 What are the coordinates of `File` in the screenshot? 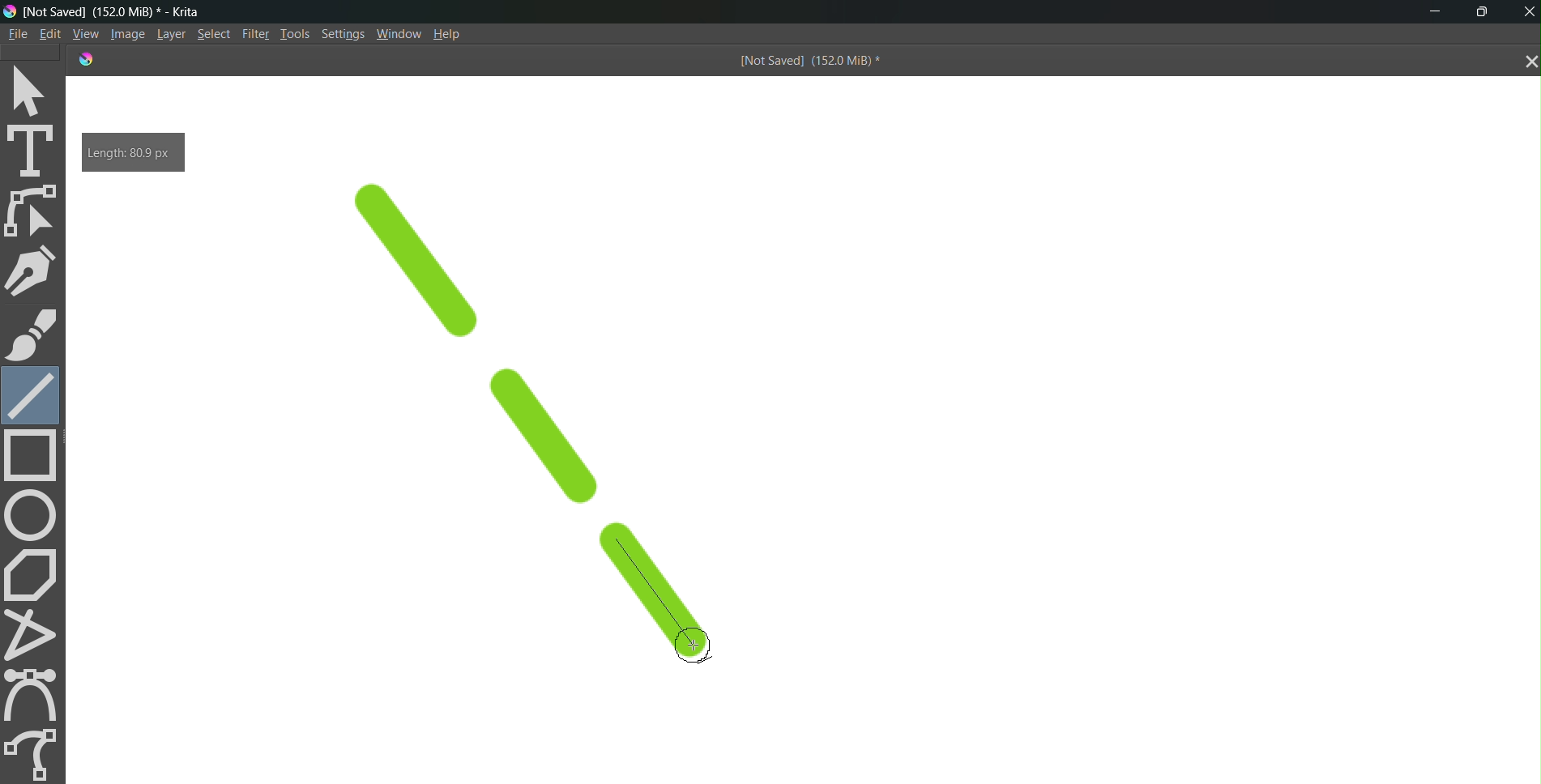 It's located at (16, 33).